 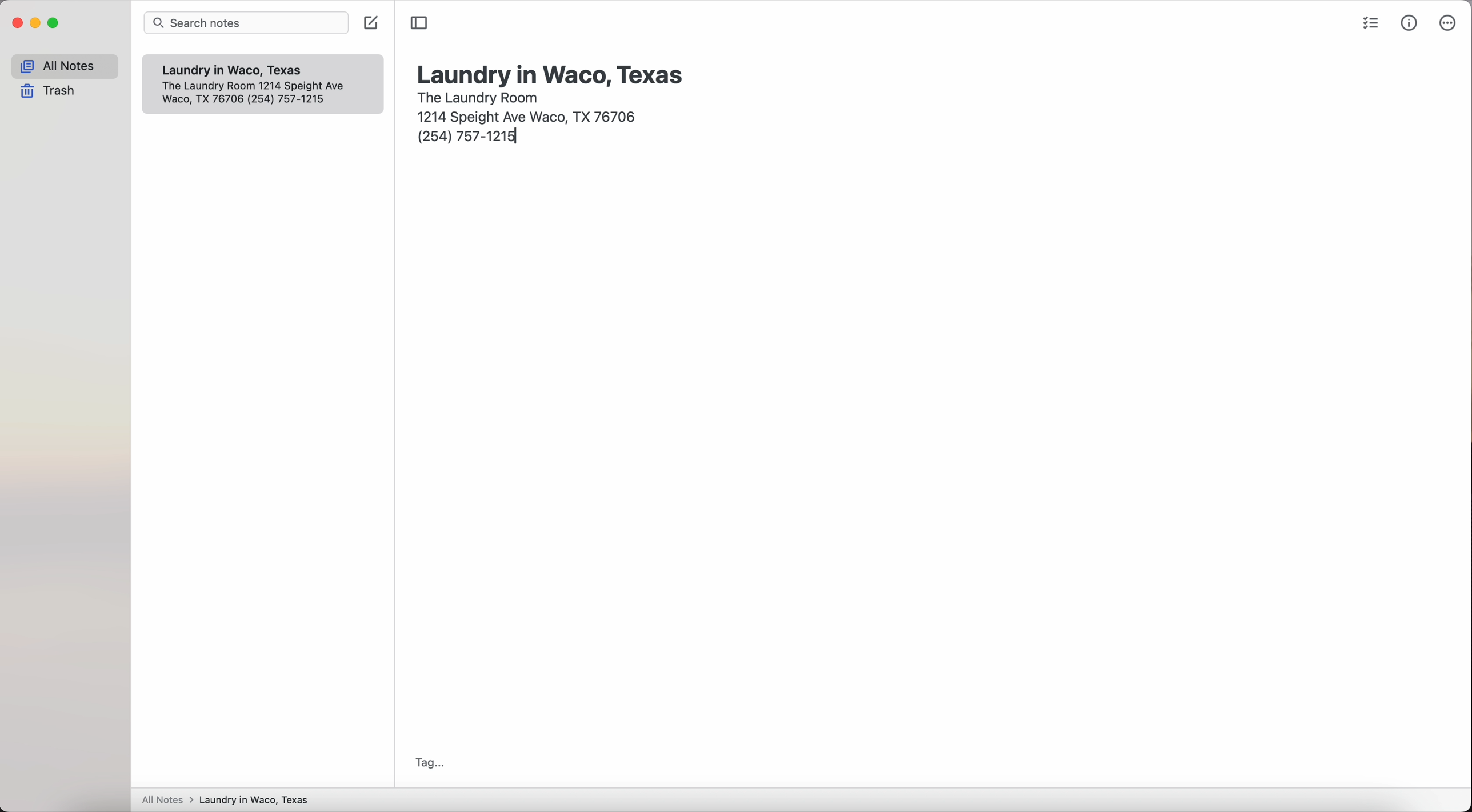 I want to click on All notes > Laundry in Waco, Texas, so click(x=230, y=801).